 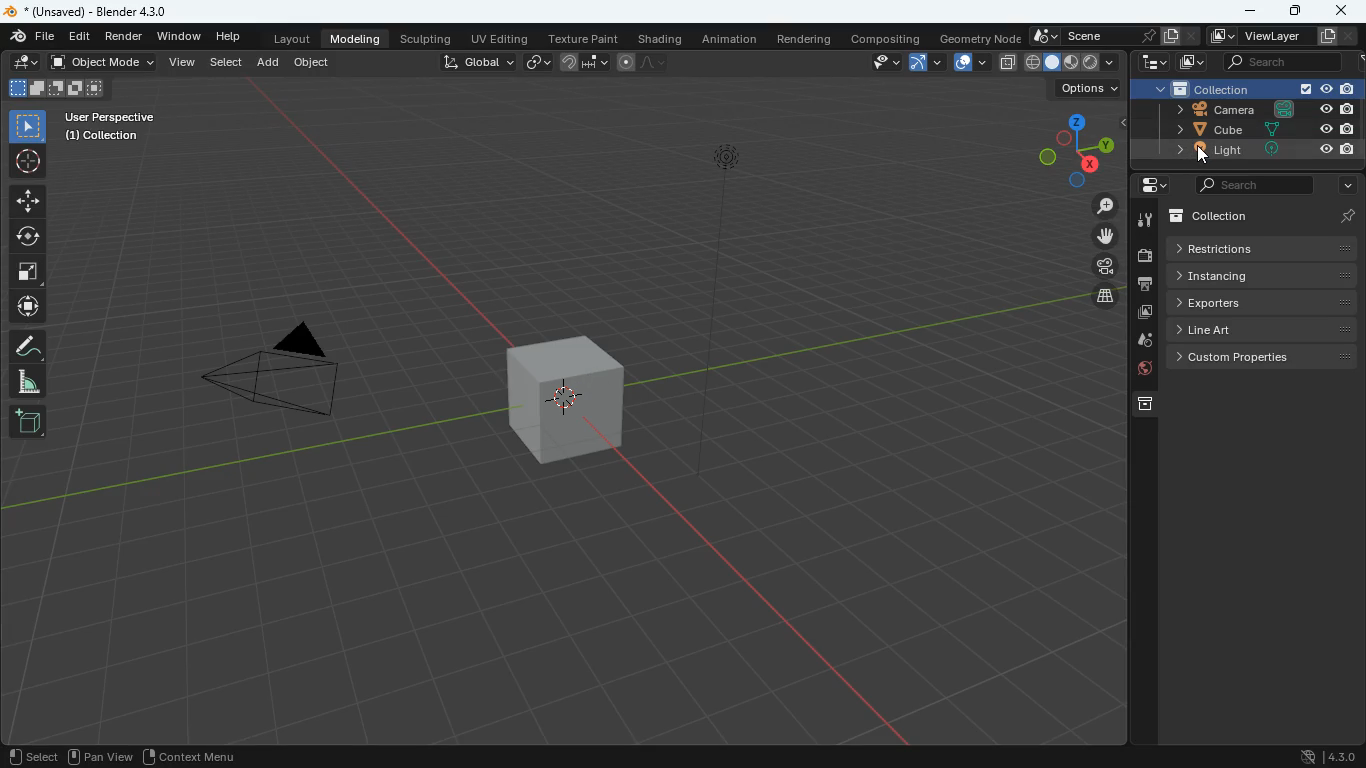 What do you see at coordinates (227, 35) in the screenshot?
I see `help` at bounding box center [227, 35].